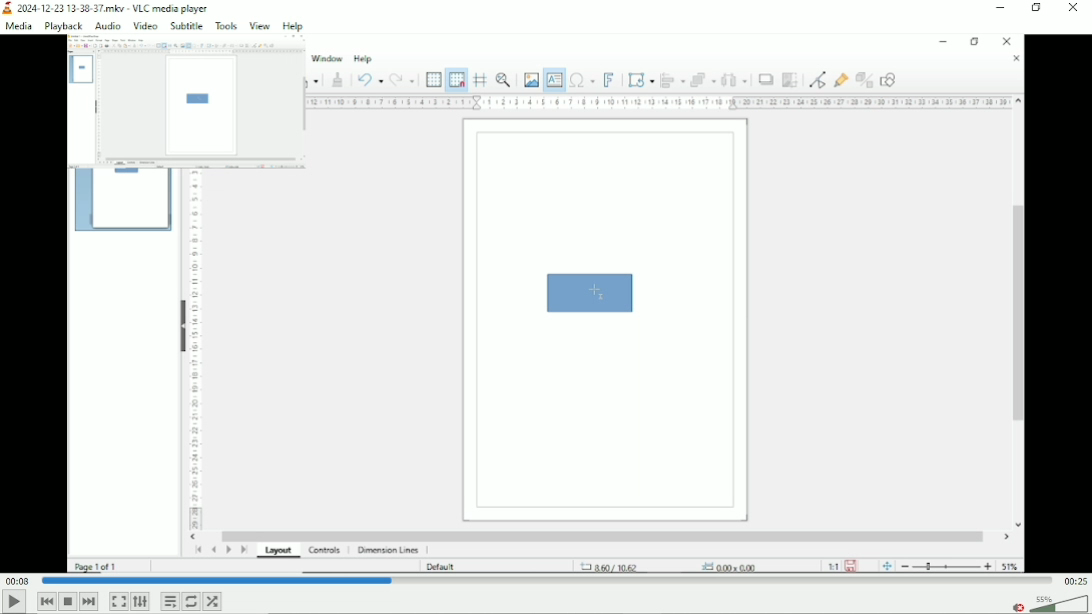 Image resolution: width=1092 pixels, height=614 pixels. What do you see at coordinates (192, 601) in the screenshot?
I see `Toggle between loop all, loop one and no loop` at bounding box center [192, 601].